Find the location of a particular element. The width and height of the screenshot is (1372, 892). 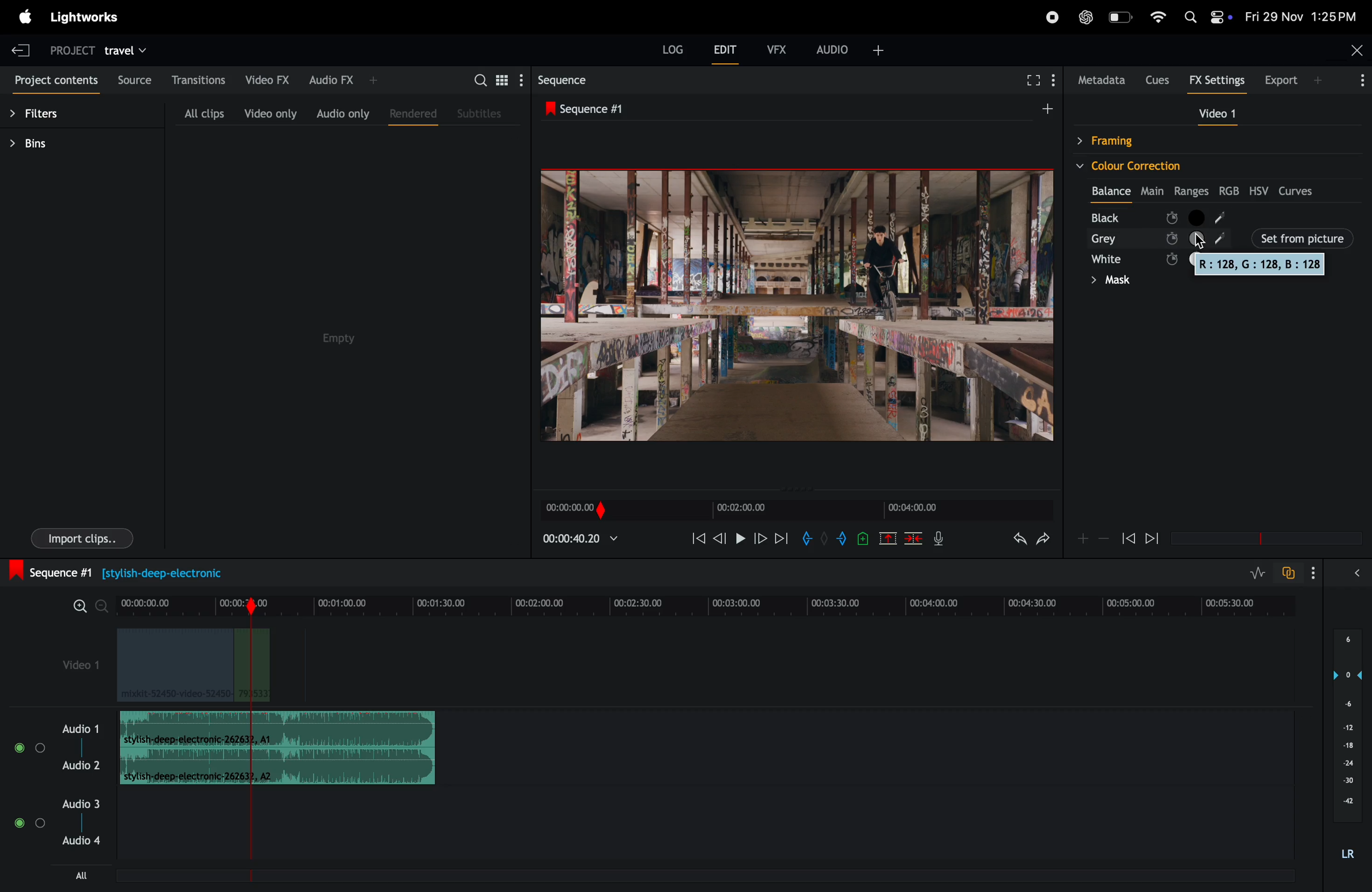

control panel is located at coordinates (1222, 19).